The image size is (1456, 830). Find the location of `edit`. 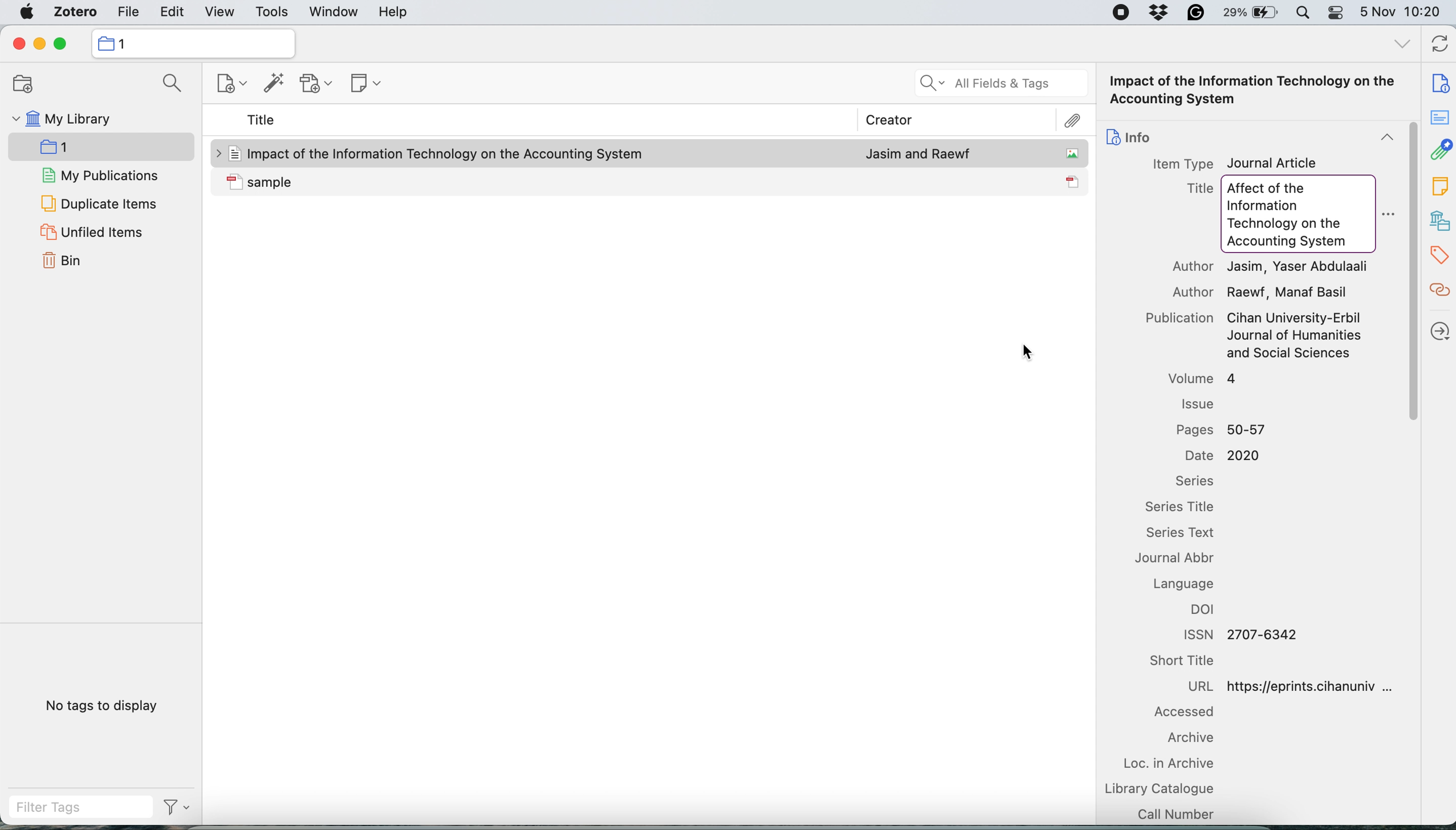

edit is located at coordinates (172, 13).